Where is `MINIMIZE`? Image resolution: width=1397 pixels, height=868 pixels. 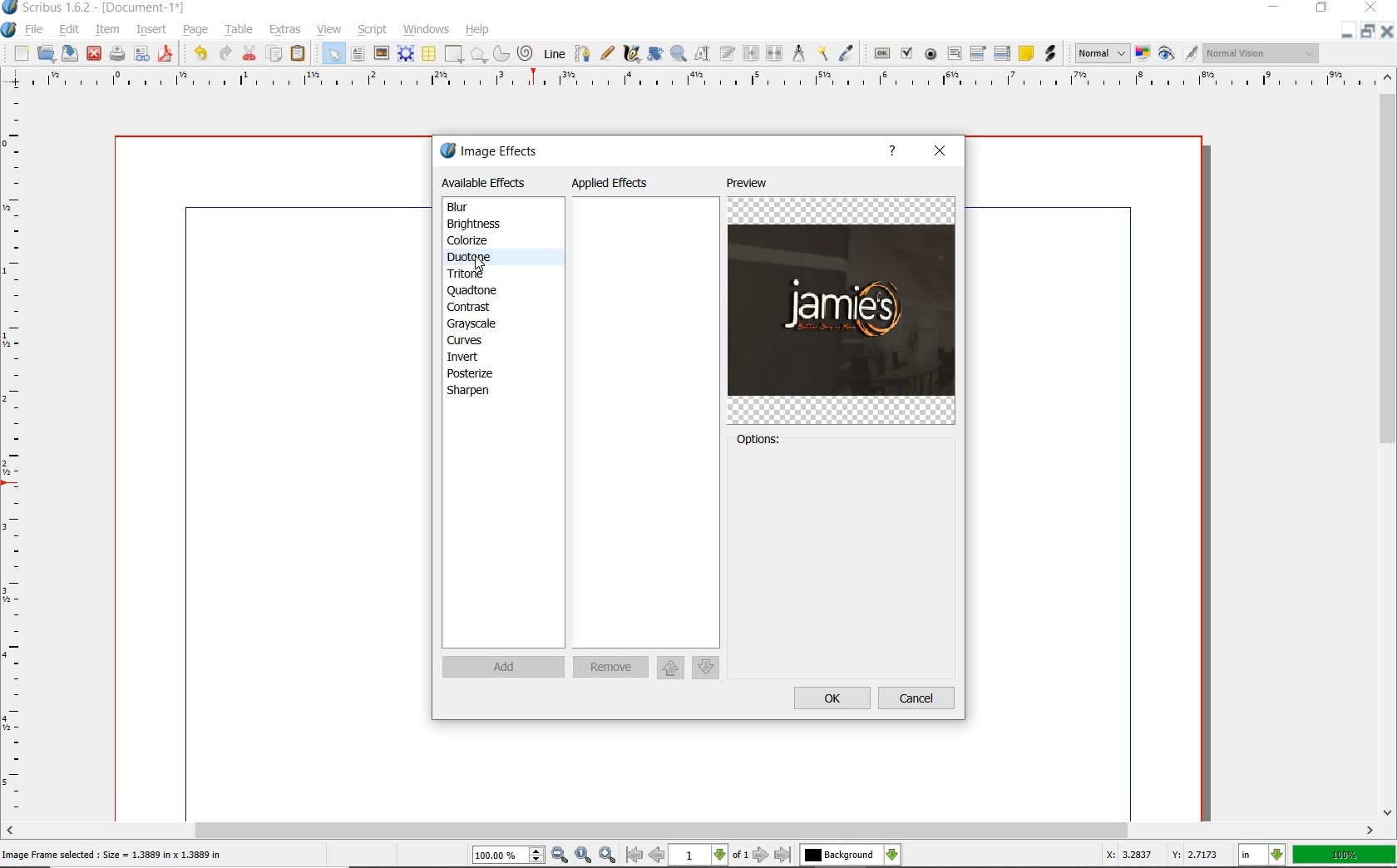 MINIMIZE is located at coordinates (1348, 32).